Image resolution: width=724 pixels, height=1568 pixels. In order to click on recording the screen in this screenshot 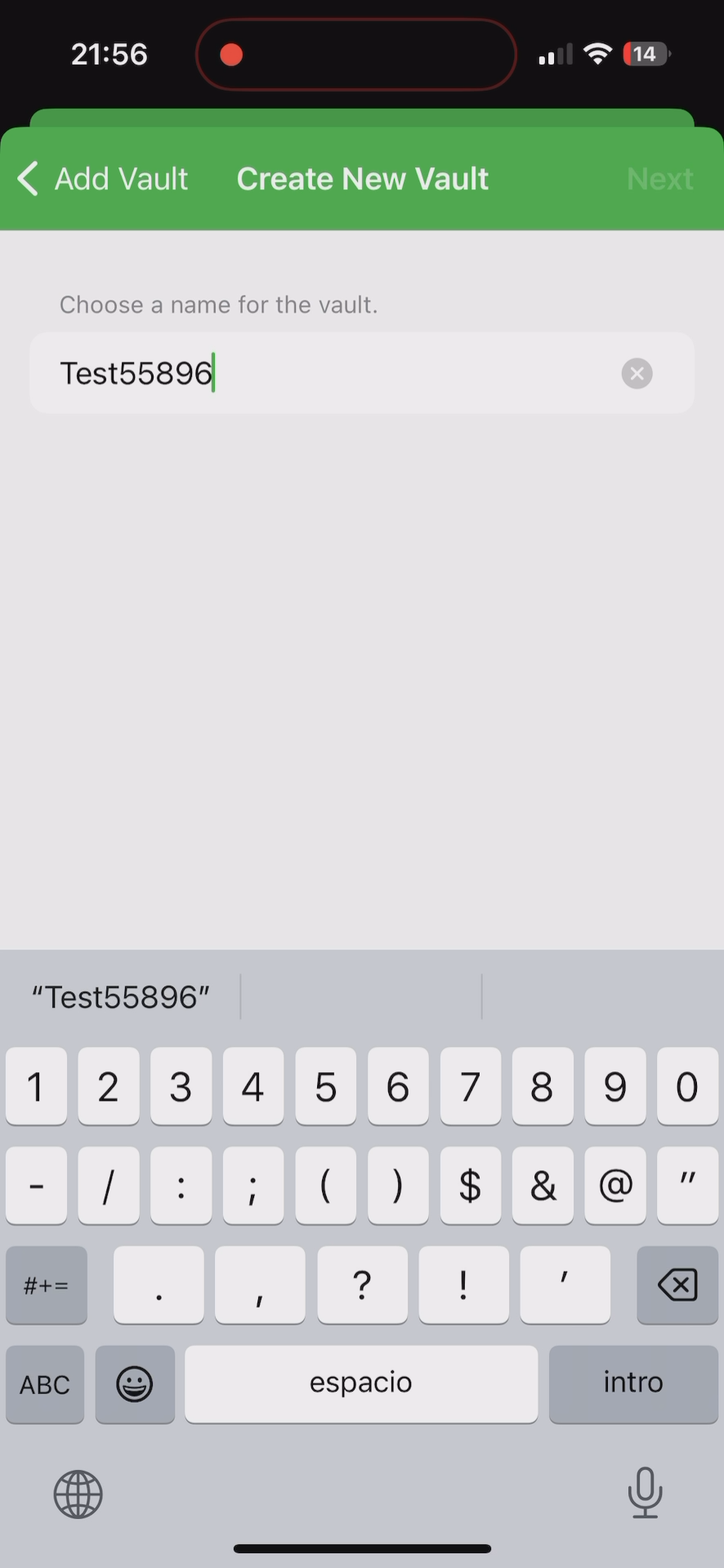, I will do `click(231, 51)`.